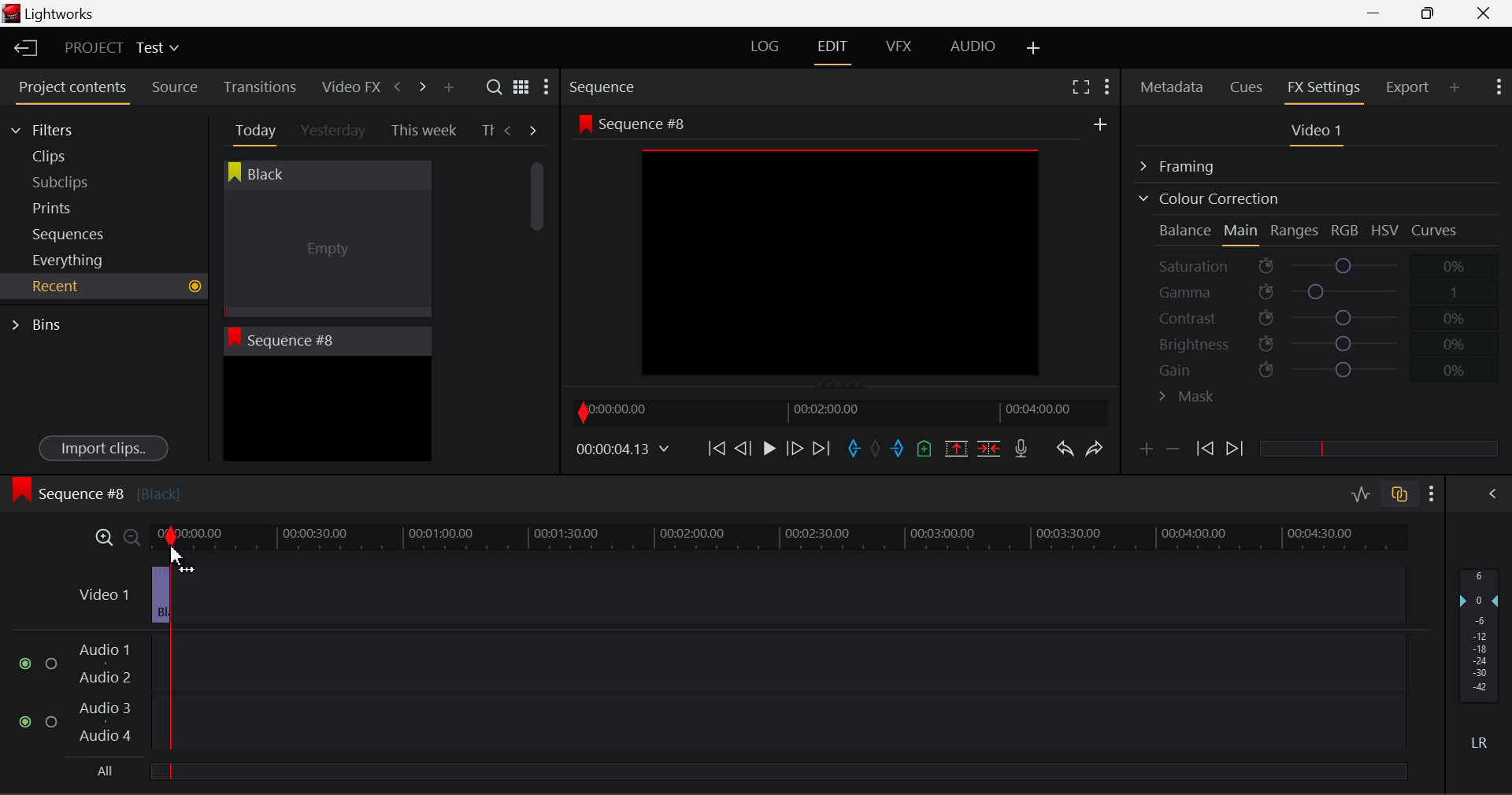 This screenshot has width=1512, height=795. Describe the element at coordinates (1455, 87) in the screenshot. I see `Add Panel` at that location.